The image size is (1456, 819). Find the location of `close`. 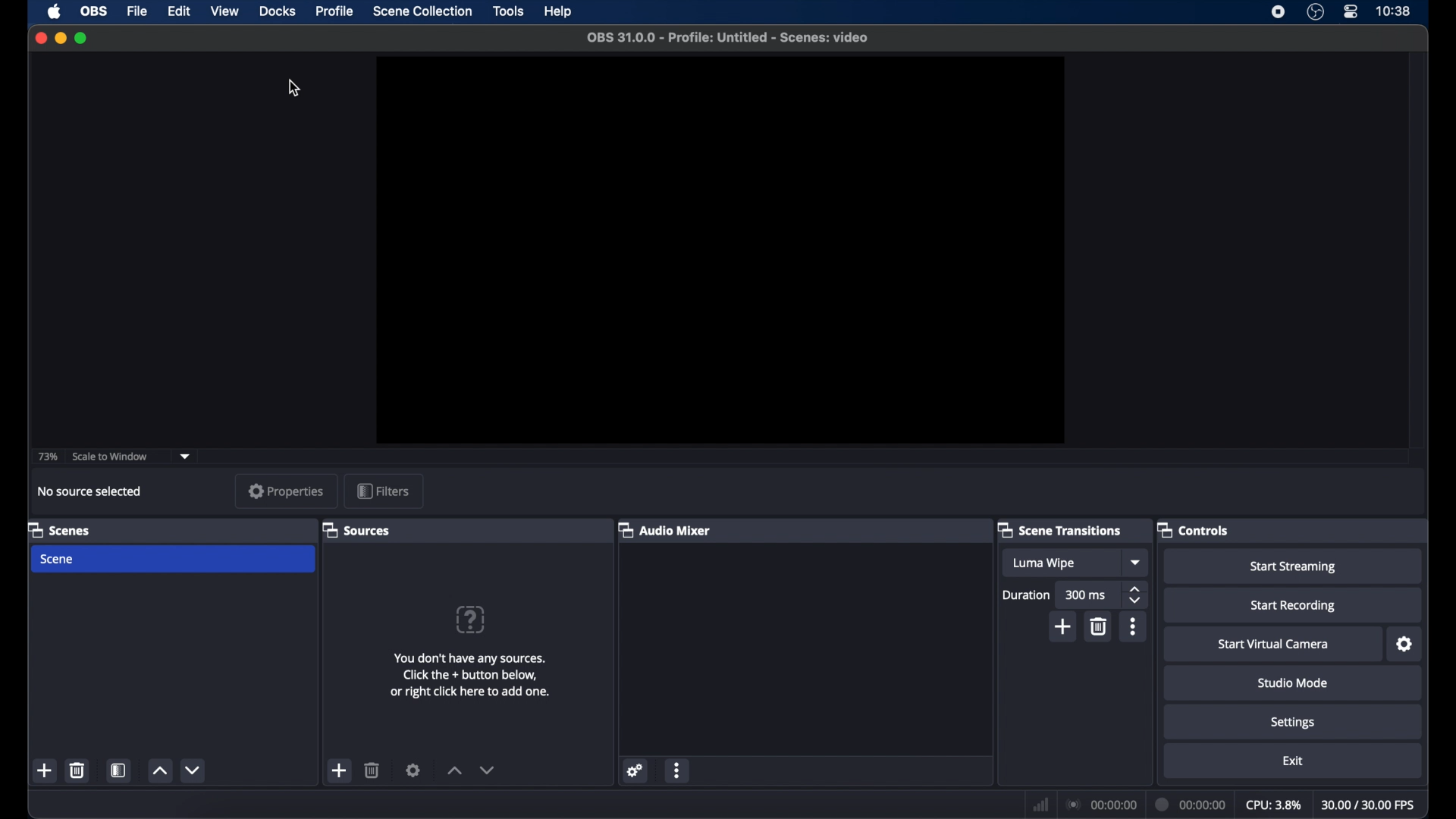

close is located at coordinates (40, 37).